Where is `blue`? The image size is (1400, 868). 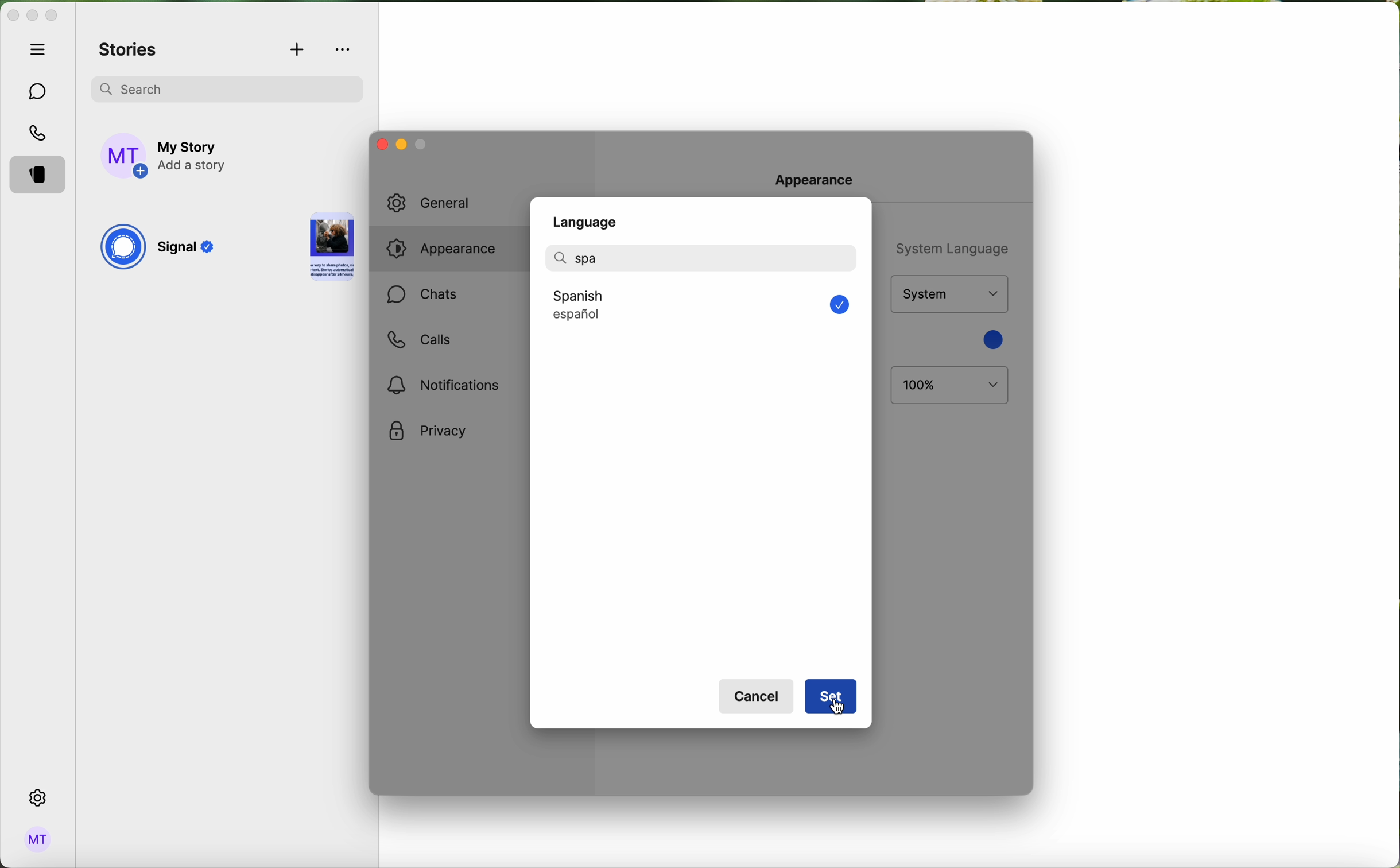
blue is located at coordinates (991, 339).